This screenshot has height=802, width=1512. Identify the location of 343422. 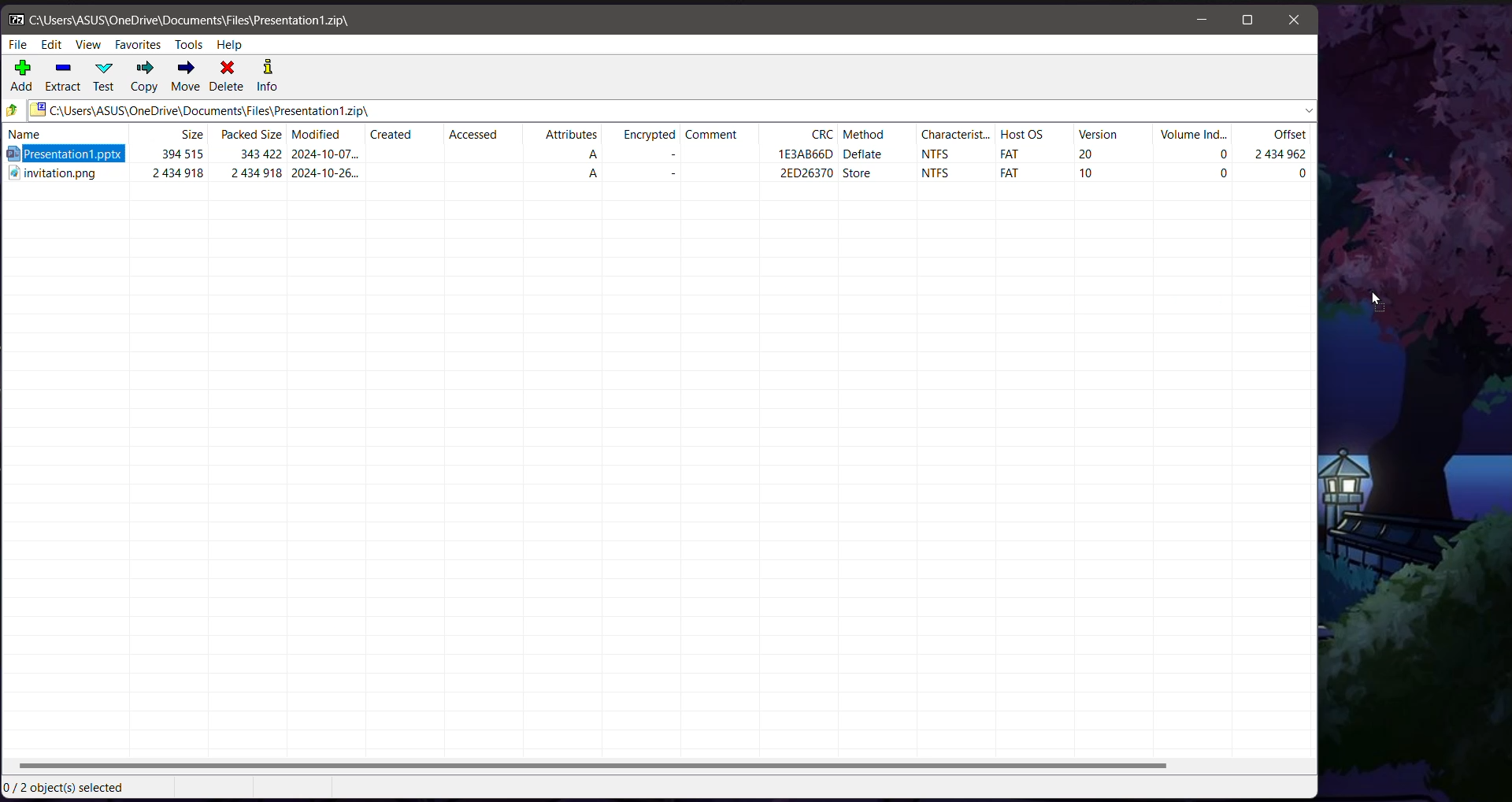
(259, 154).